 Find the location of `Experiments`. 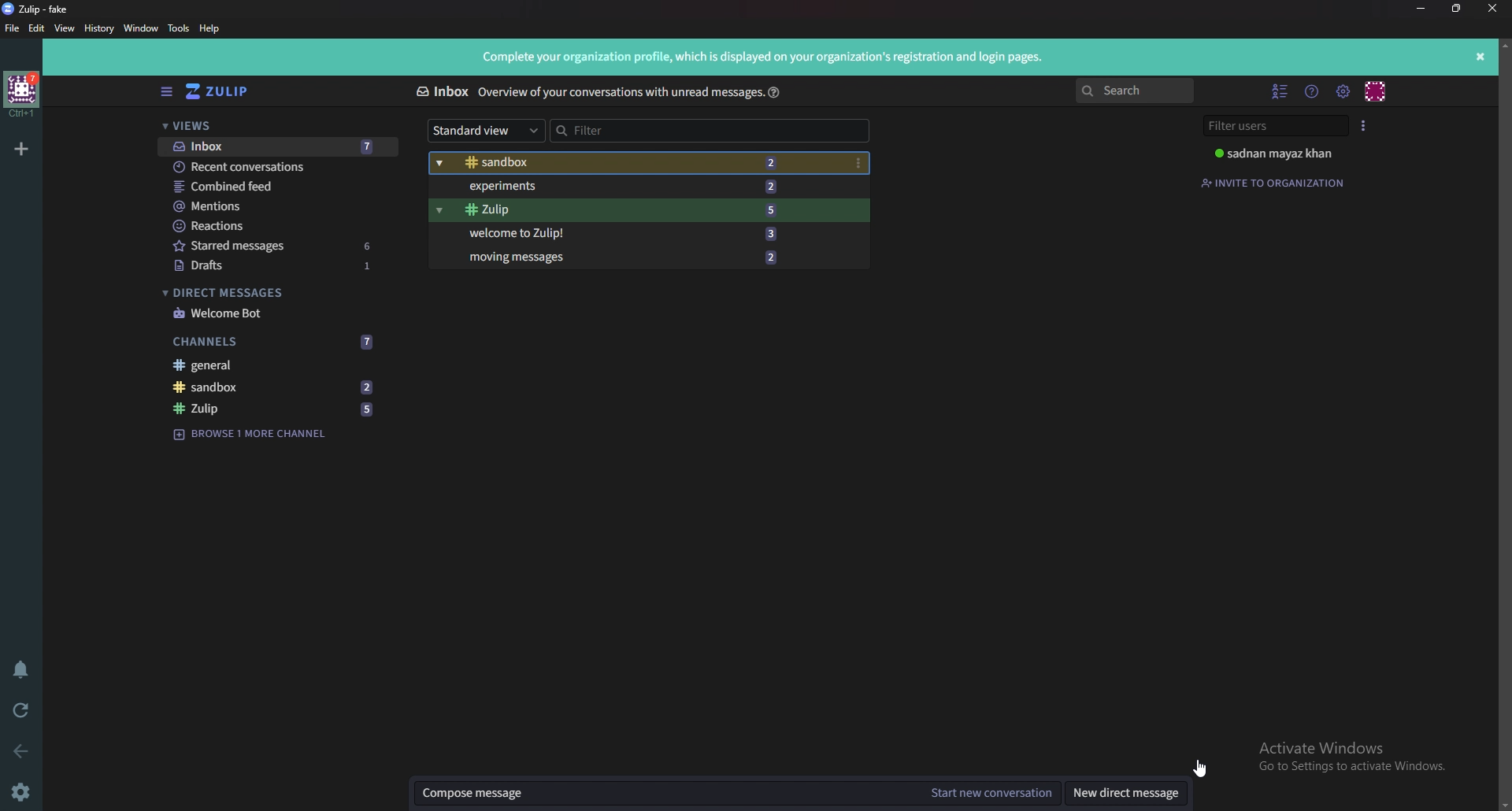

Experiments is located at coordinates (631, 187).